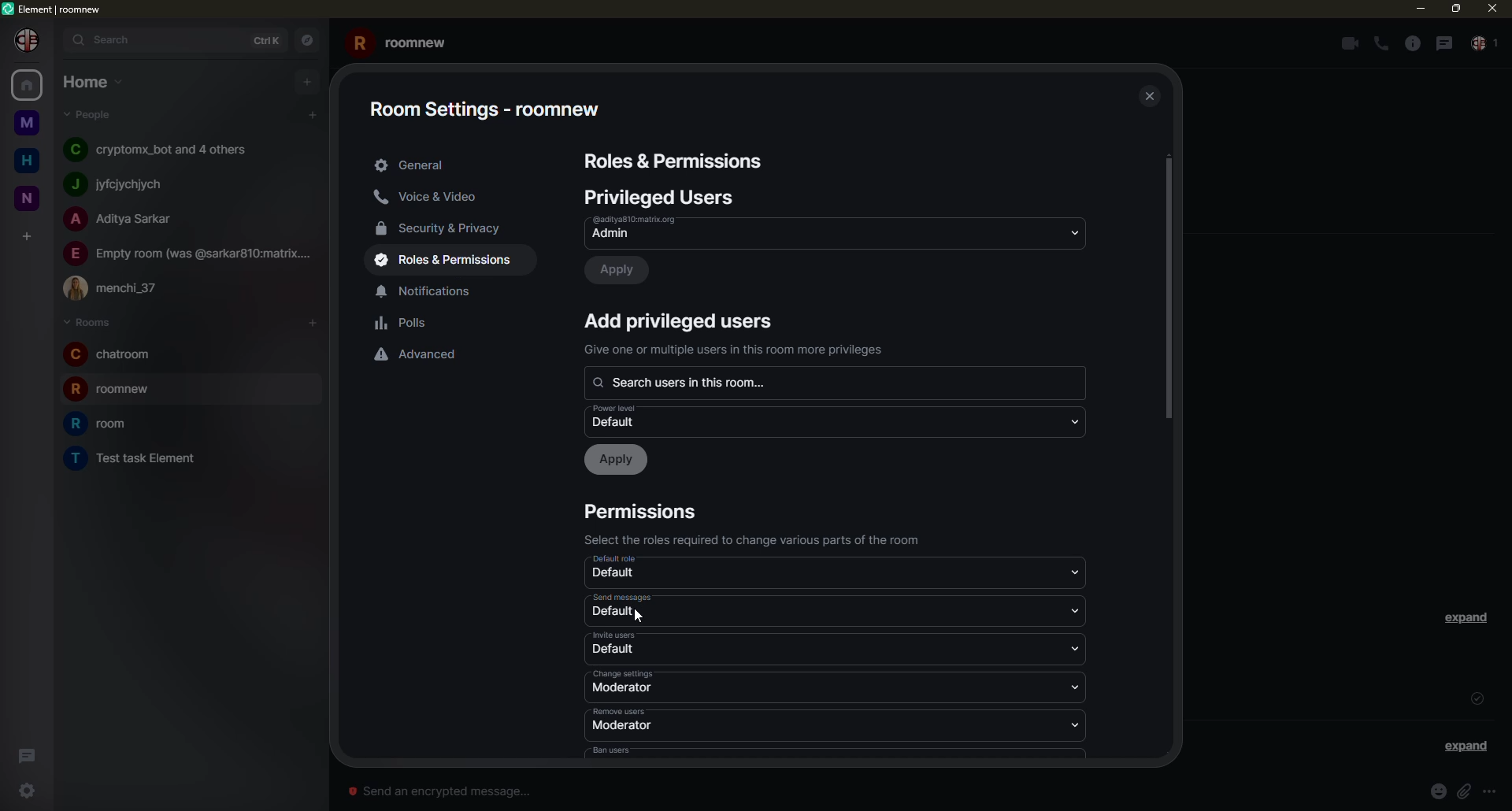  Describe the element at coordinates (618, 460) in the screenshot. I see `apply` at that location.